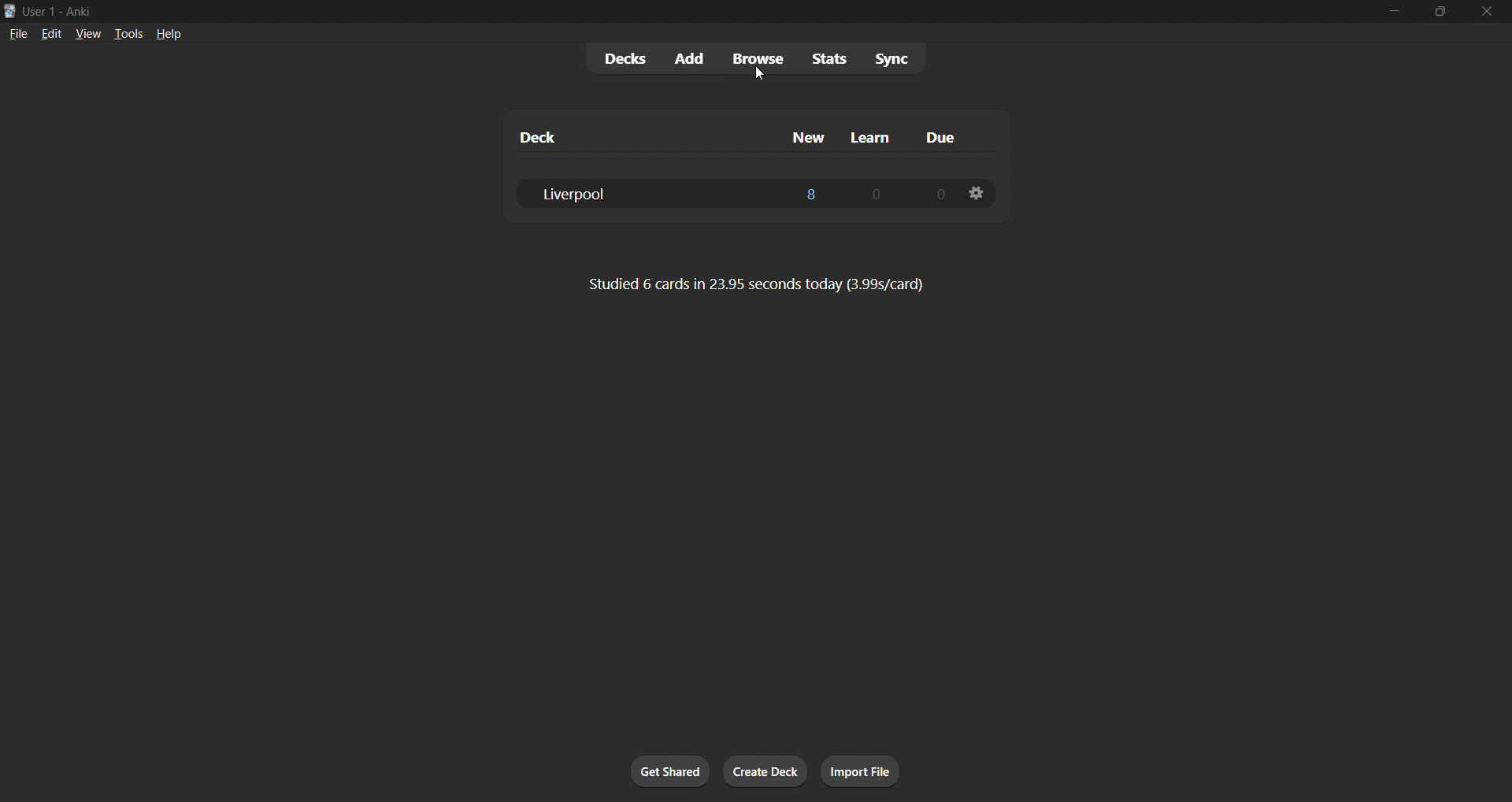  What do you see at coordinates (873, 136) in the screenshot?
I see `learn column` at bounding box center [873, 136].